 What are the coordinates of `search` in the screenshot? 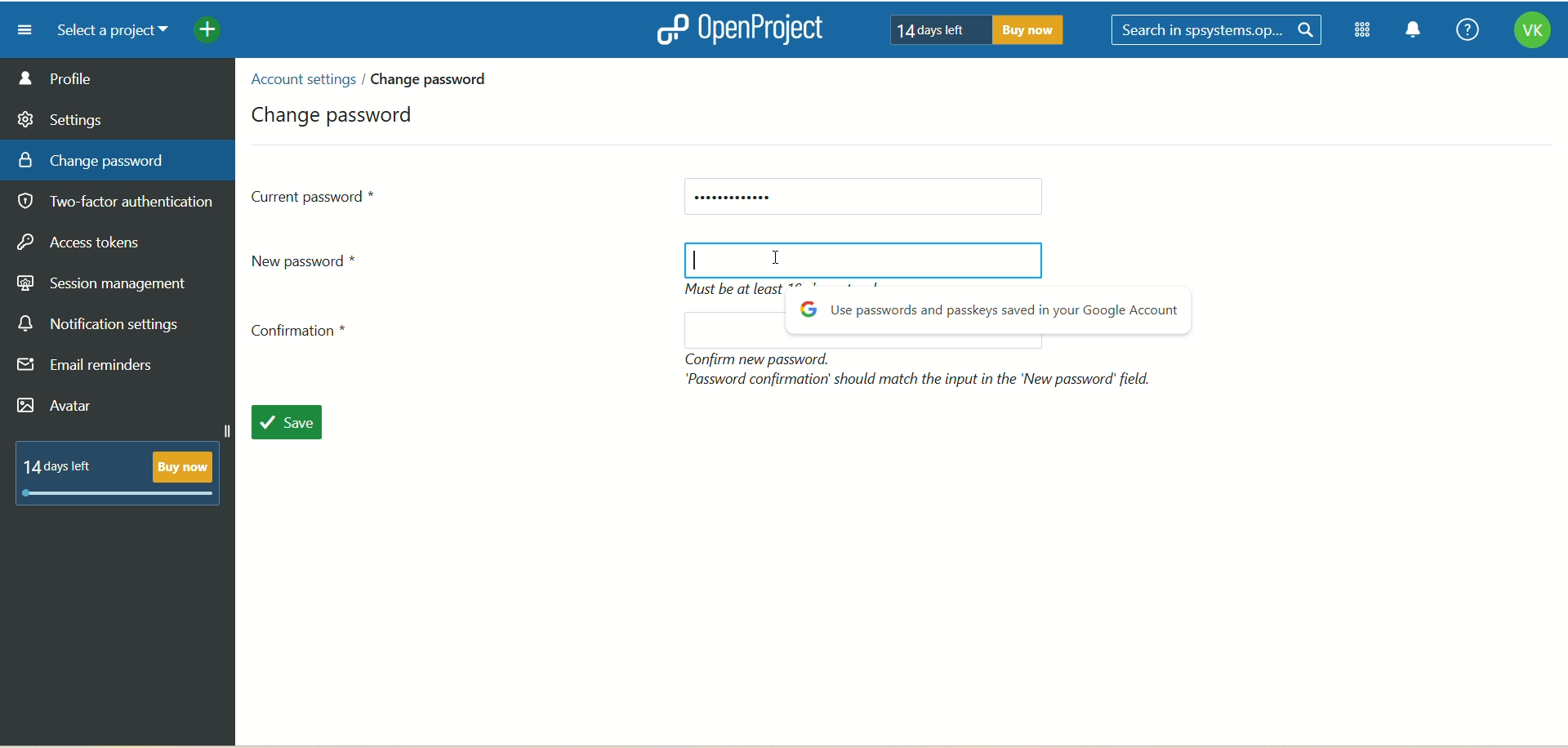 It's located at (1219, 31).